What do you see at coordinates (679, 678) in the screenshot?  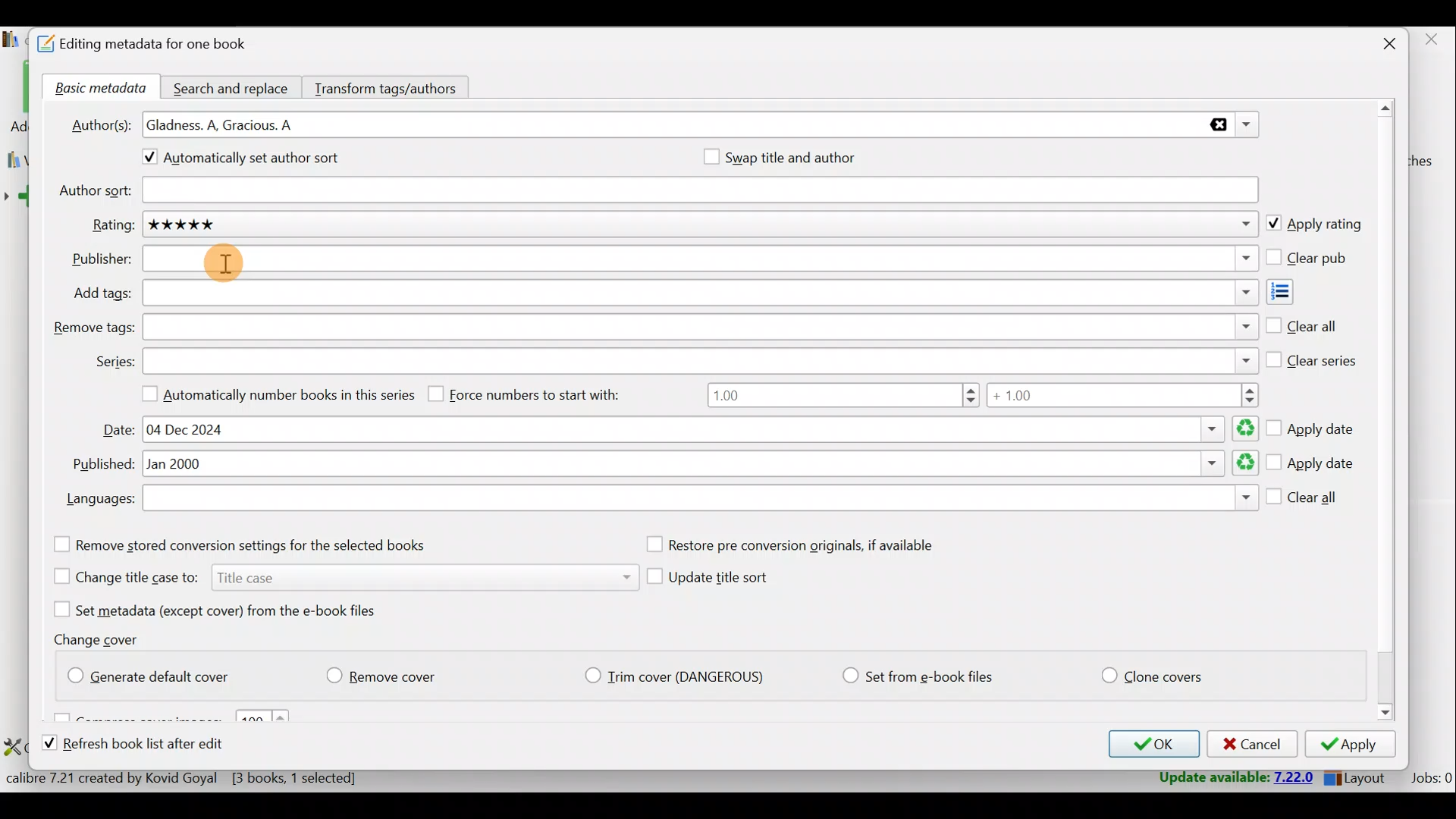 I see `Trim cover (Dangerious)` at bounding box center [679, 678].